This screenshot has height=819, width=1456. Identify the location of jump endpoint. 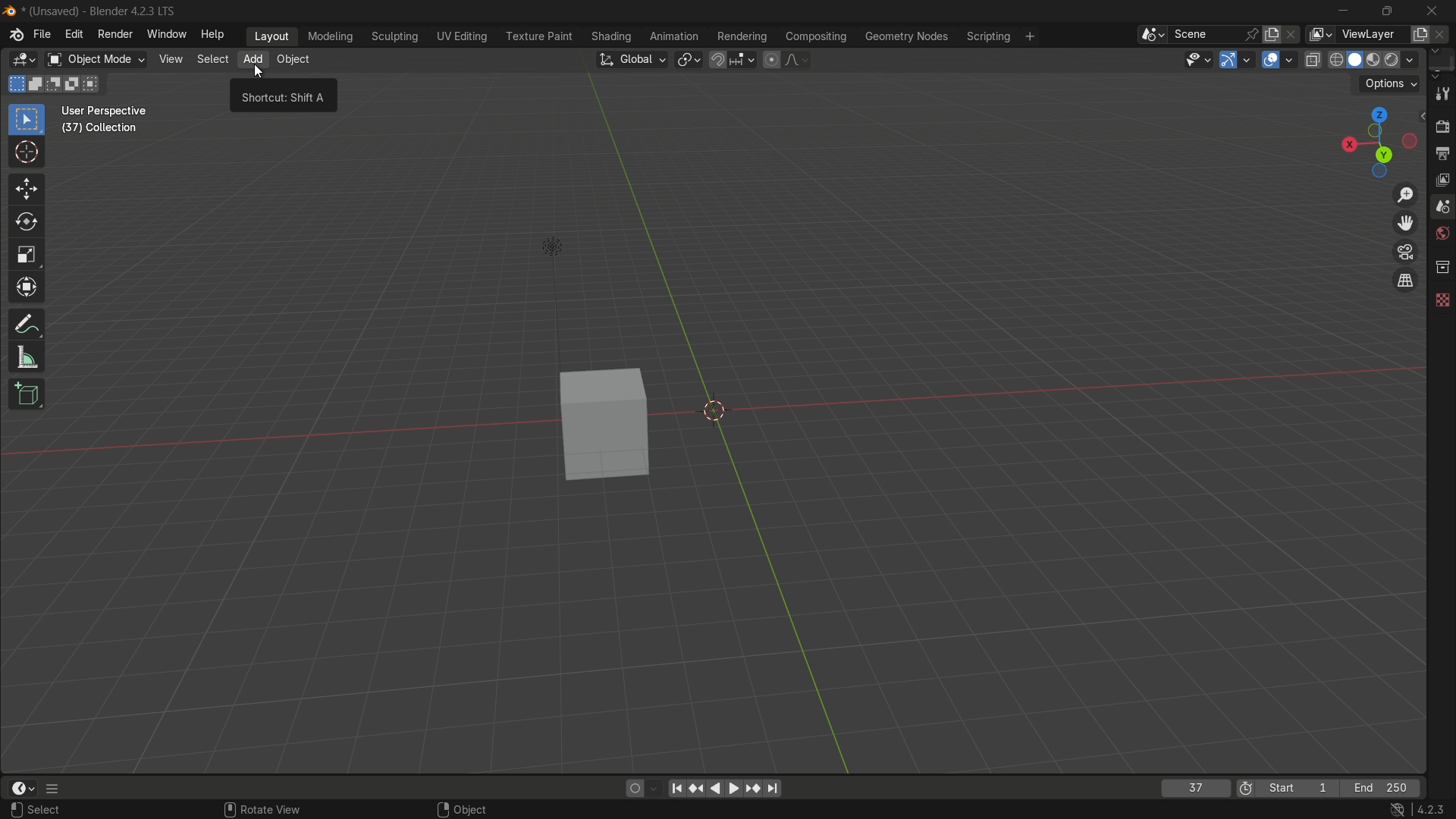
(774, 789).